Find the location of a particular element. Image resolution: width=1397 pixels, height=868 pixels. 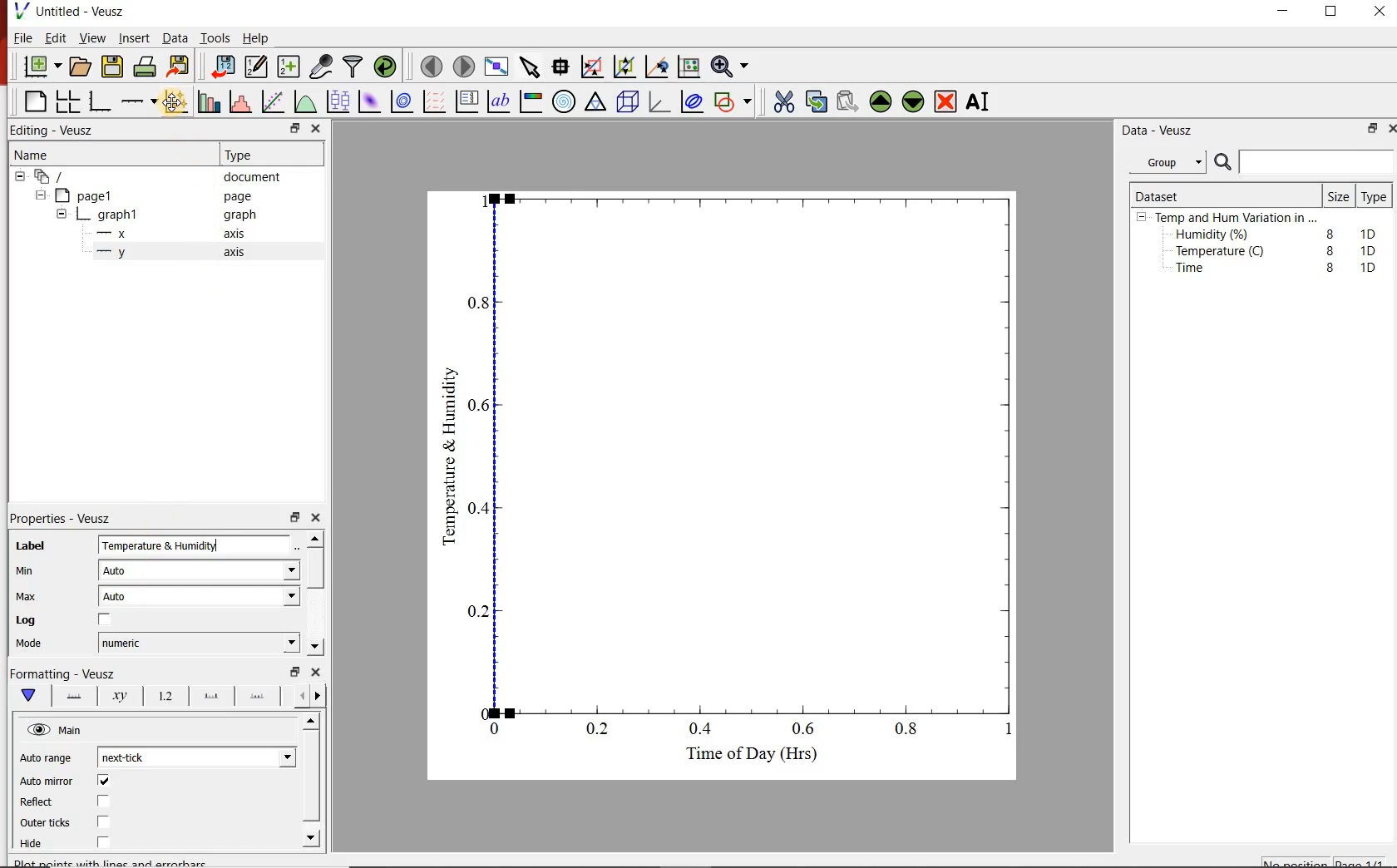

Mode is located at coordinates (42, 645).